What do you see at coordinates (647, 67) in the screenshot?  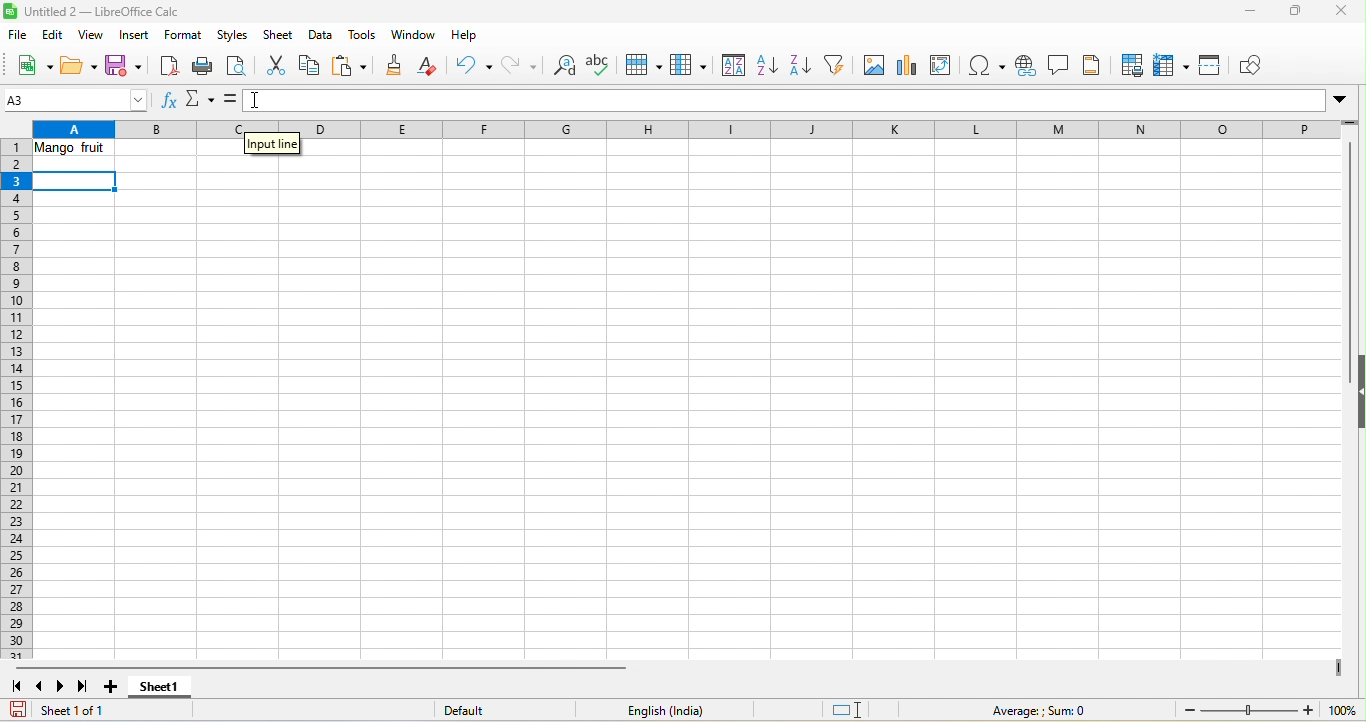 I see `row` at bounding box center [647, 67].